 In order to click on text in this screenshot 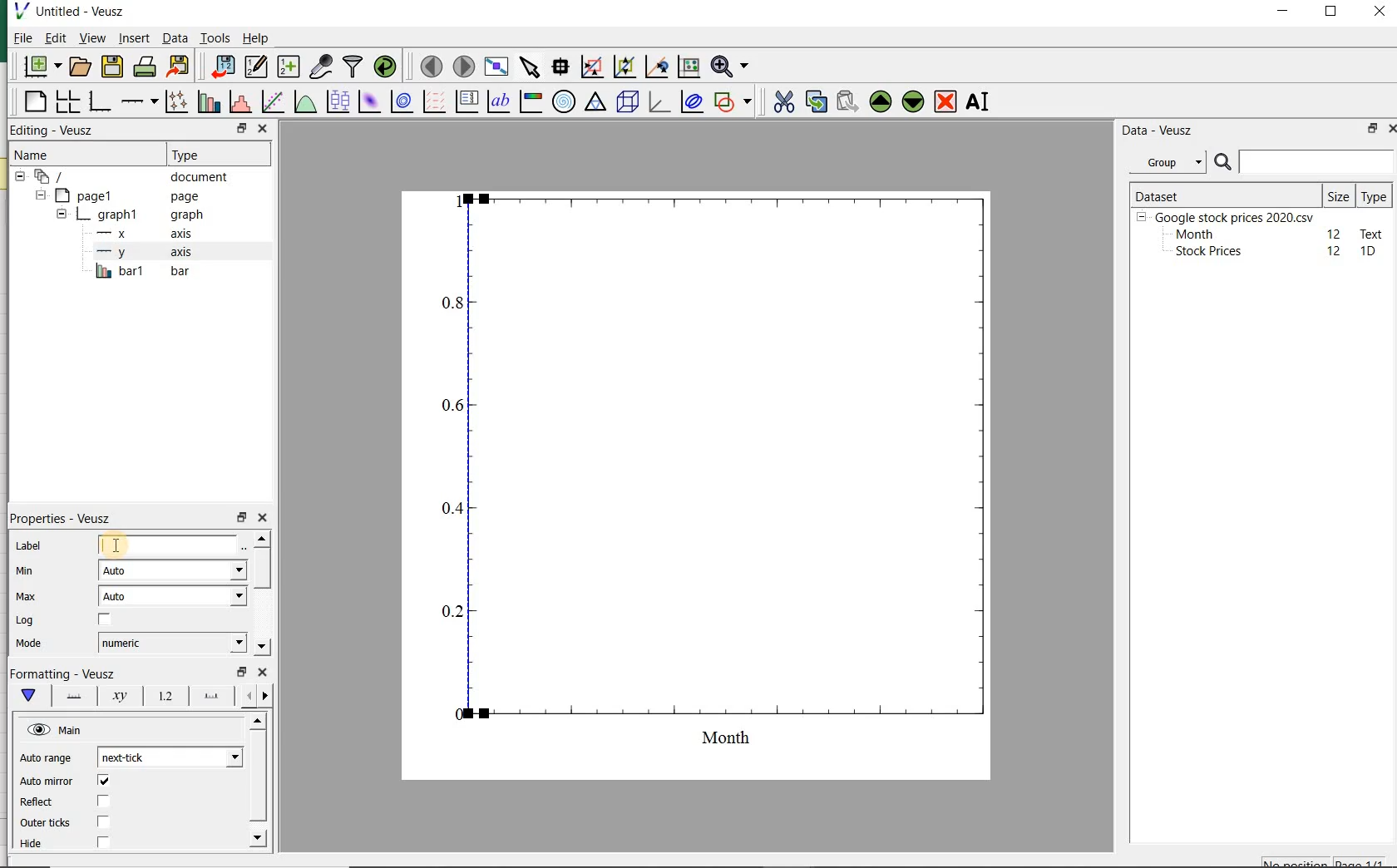, I will do `click(1369, 233)`.